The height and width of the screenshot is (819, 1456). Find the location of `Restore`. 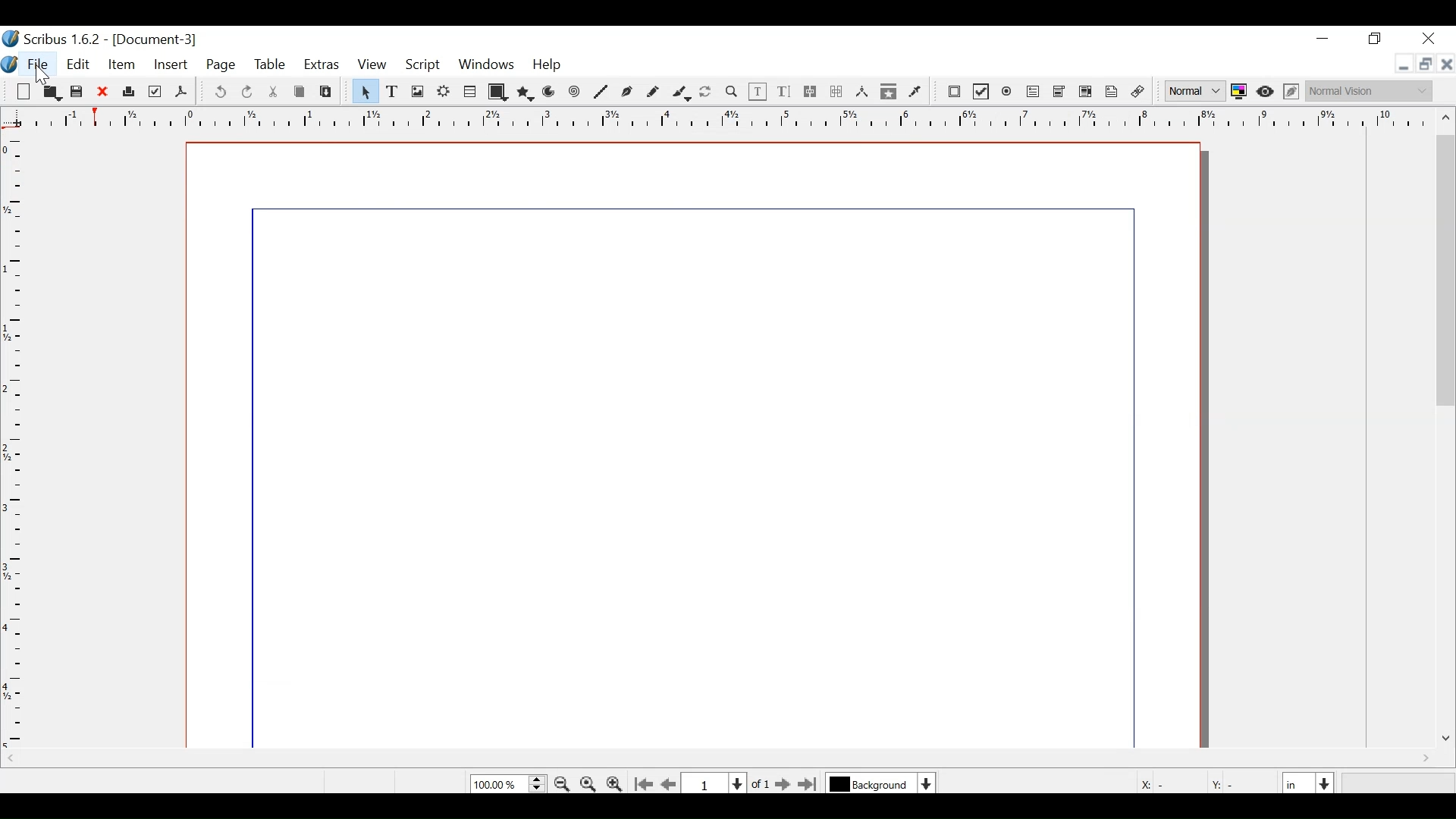

Restore is located at coordinates (1423, 64).